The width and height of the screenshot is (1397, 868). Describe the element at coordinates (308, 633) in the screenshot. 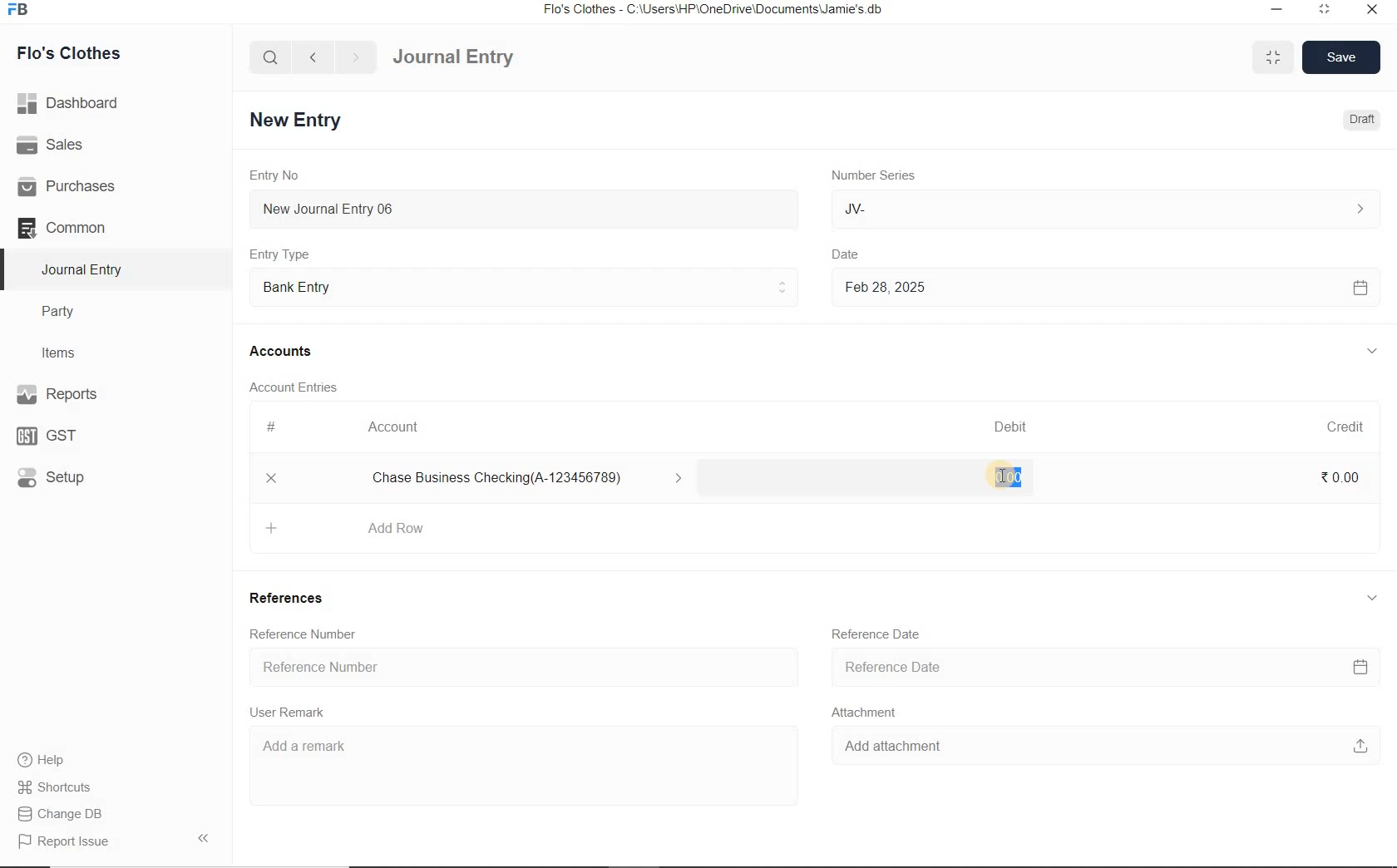

I see `Reference Number` at that location.